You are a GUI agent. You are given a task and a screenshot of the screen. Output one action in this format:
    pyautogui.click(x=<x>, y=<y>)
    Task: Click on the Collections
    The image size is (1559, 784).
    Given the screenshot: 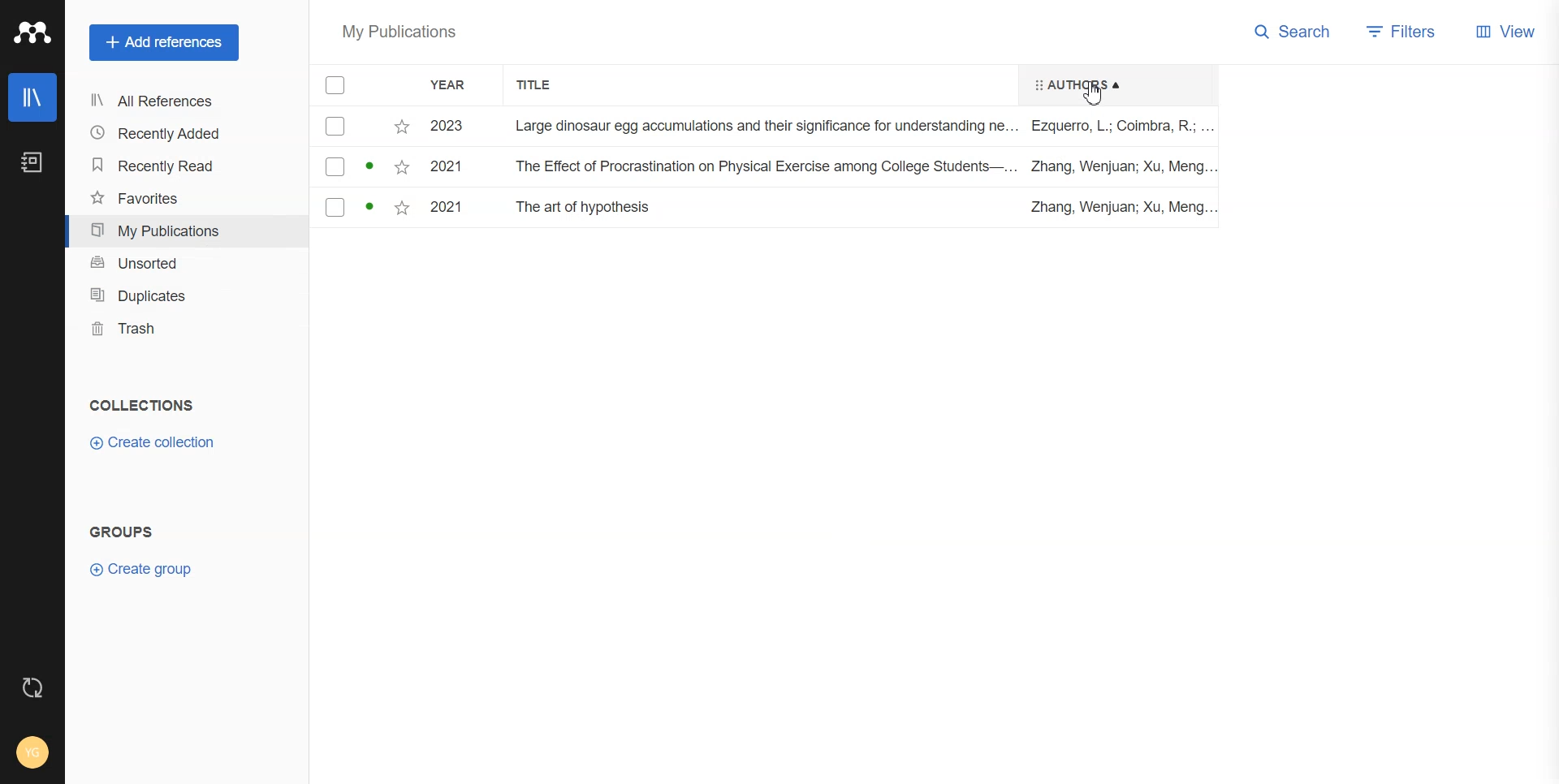 What is the action you would take?
    pyautogui.click(x=142, y=404)
    